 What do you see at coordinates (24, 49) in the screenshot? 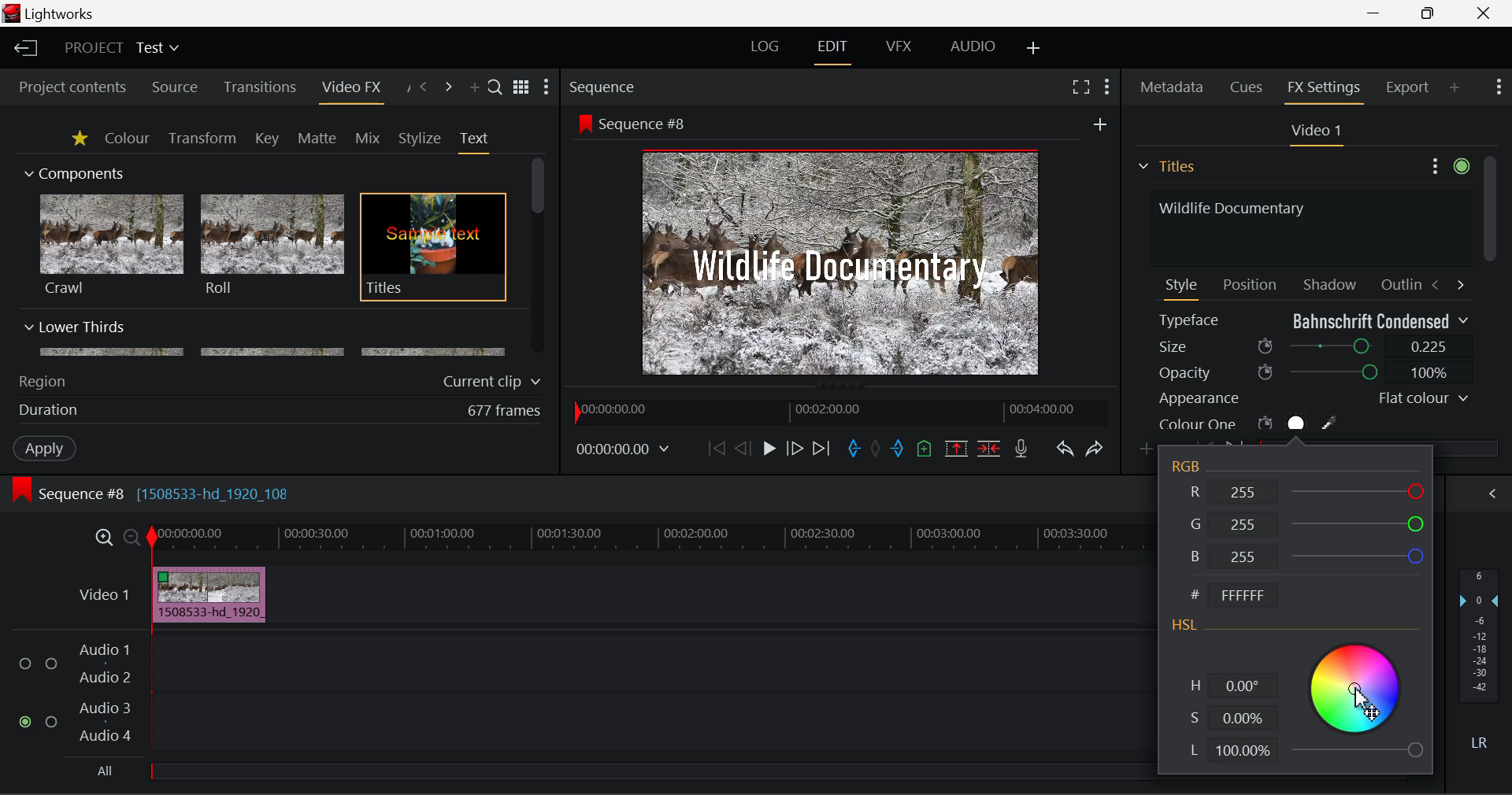
I see `Back to Homepage` at bounding box center [24, 49].